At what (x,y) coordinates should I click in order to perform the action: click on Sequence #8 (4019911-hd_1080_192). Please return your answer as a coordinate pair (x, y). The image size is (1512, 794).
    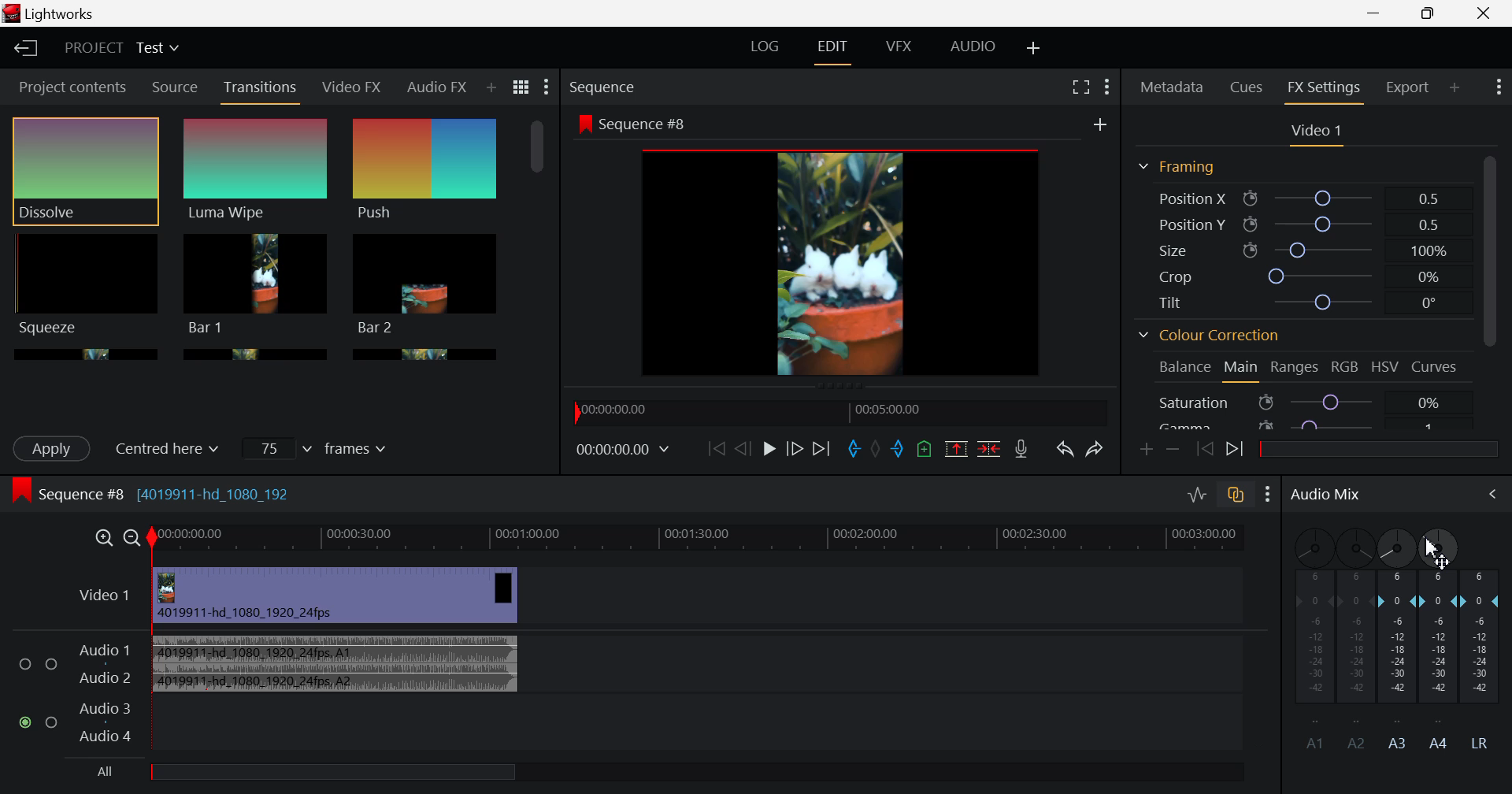
    Looking at the image, I should click on (156, 493).